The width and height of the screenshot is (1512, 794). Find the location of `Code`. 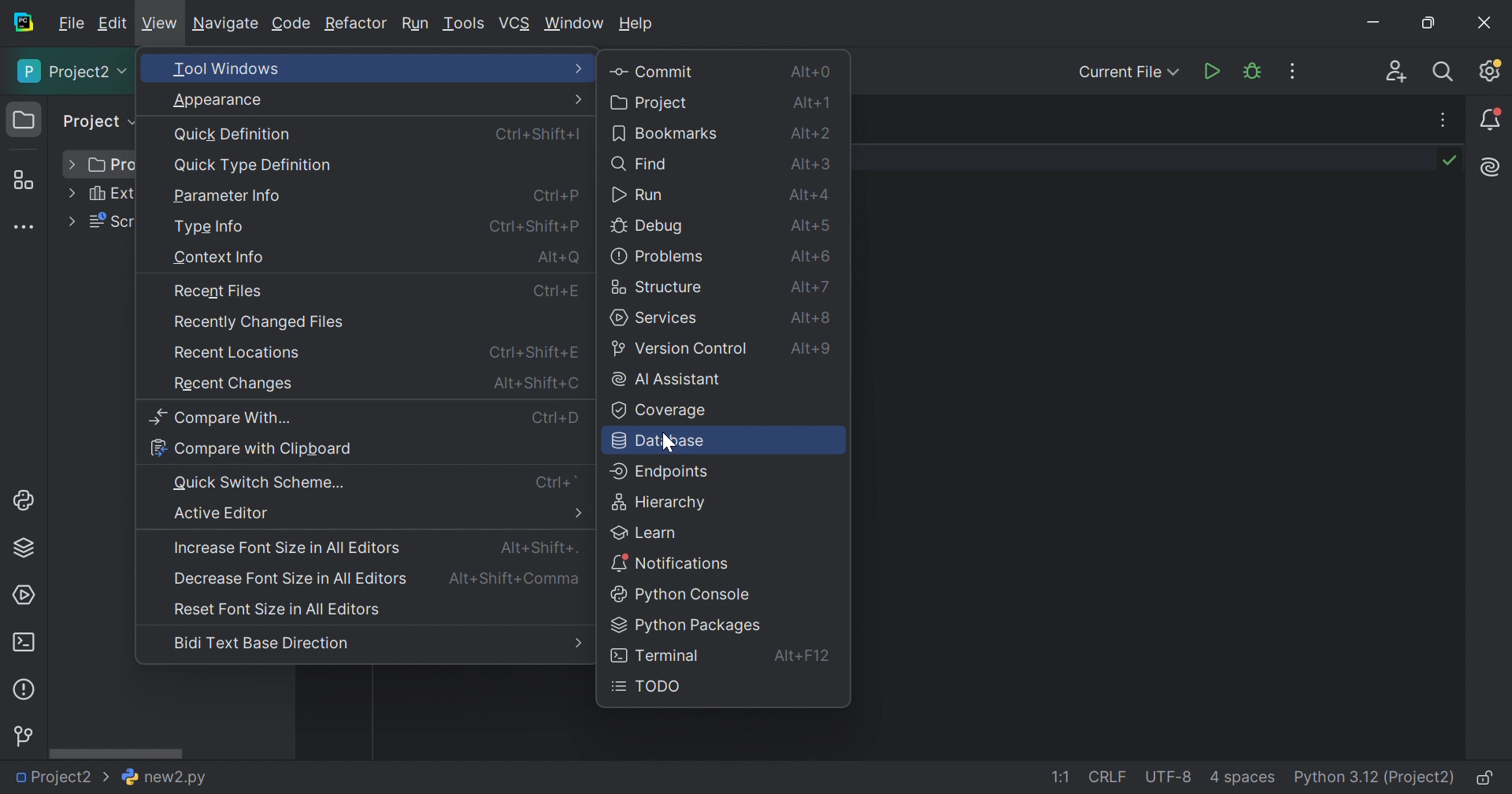

Code is located at coordinates (292, 24).